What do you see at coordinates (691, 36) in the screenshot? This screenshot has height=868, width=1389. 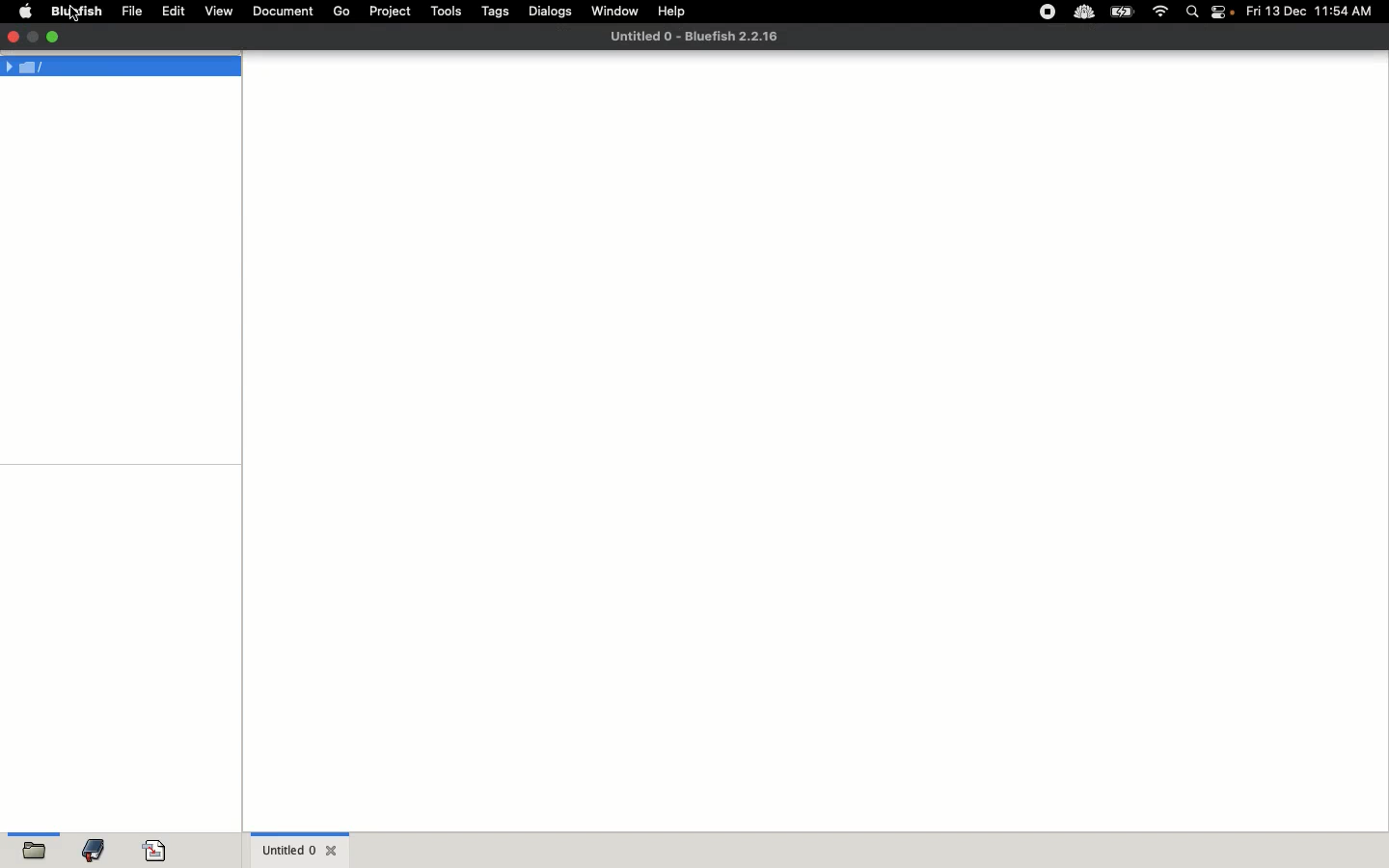 I see `Untitled` at bounding box center [691, 36].